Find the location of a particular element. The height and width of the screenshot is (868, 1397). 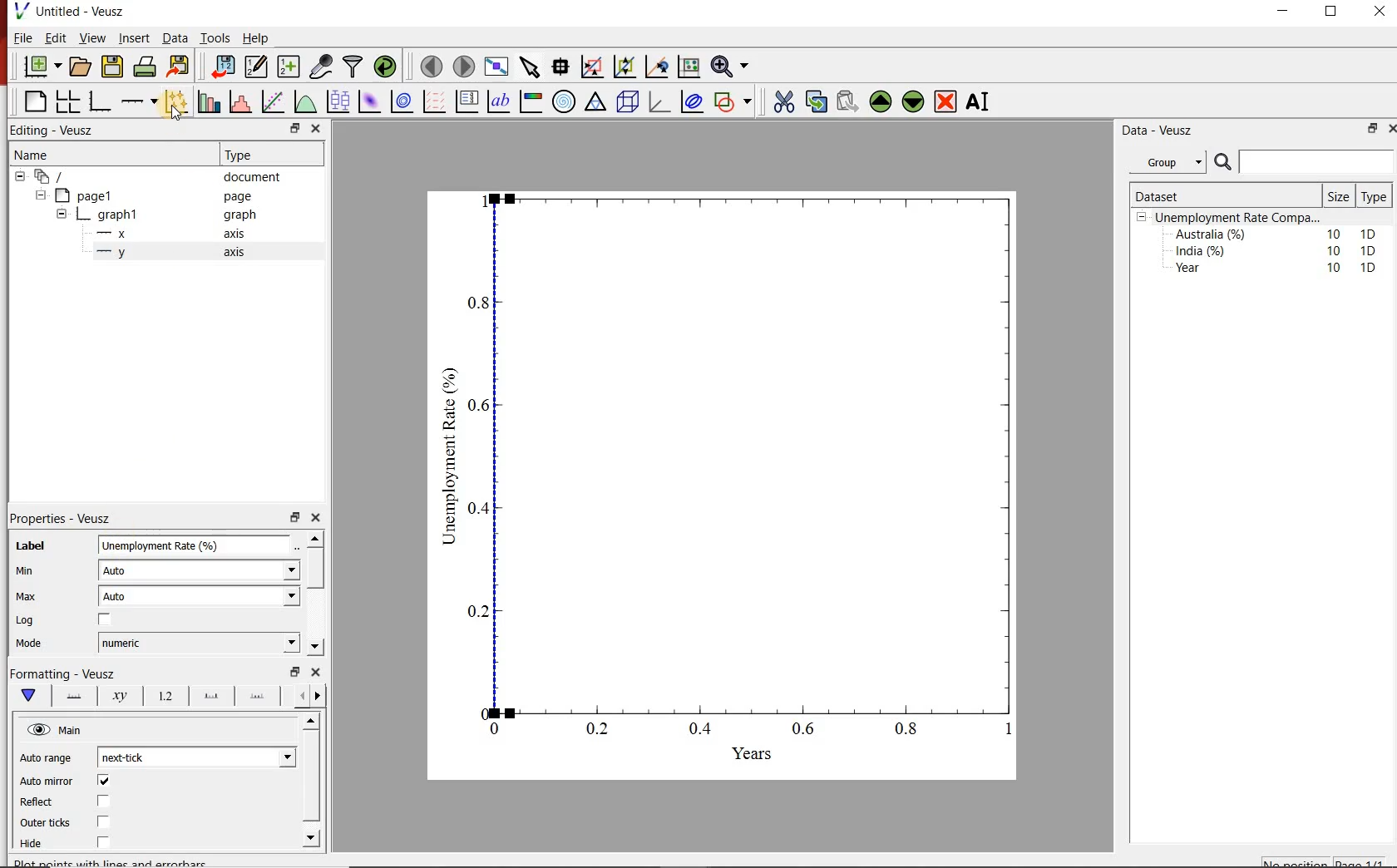

Unemployment Rate Compa... is located at coordinates (1239, 218).